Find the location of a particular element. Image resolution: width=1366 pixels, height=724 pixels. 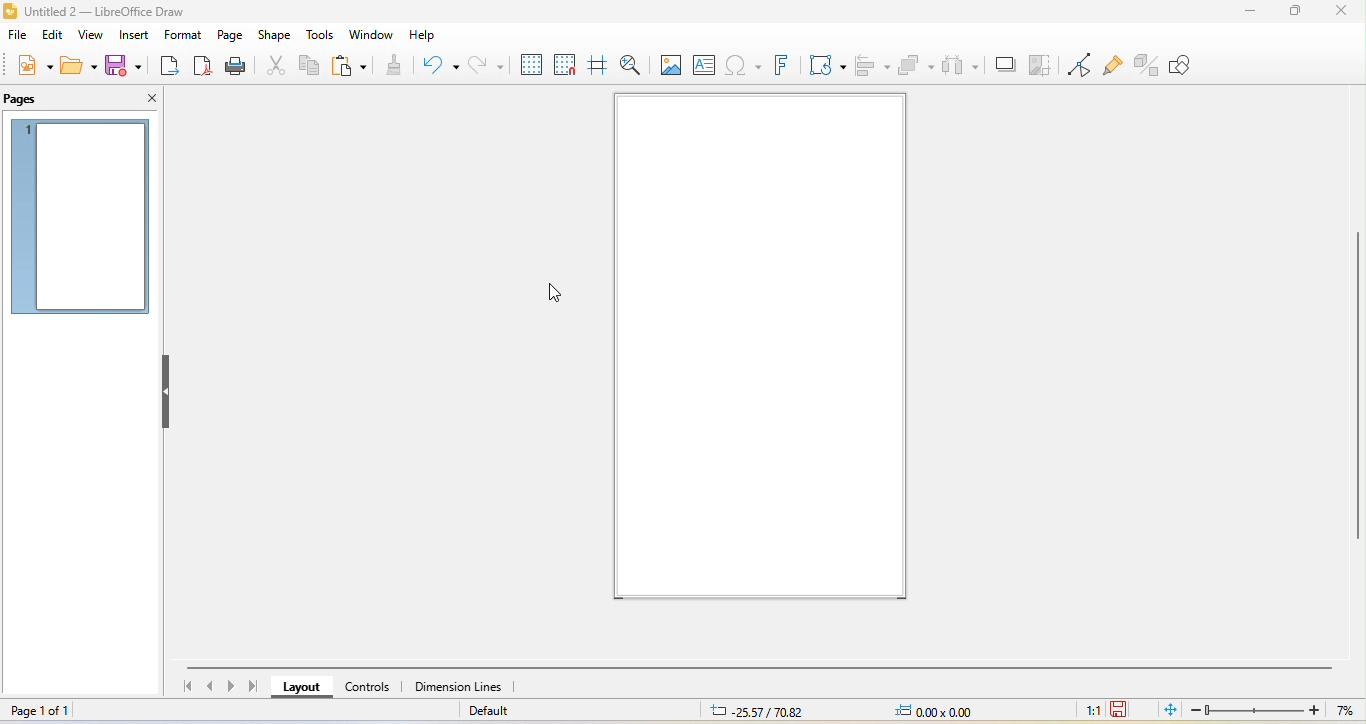

first page is located at coordinates (185, 689).